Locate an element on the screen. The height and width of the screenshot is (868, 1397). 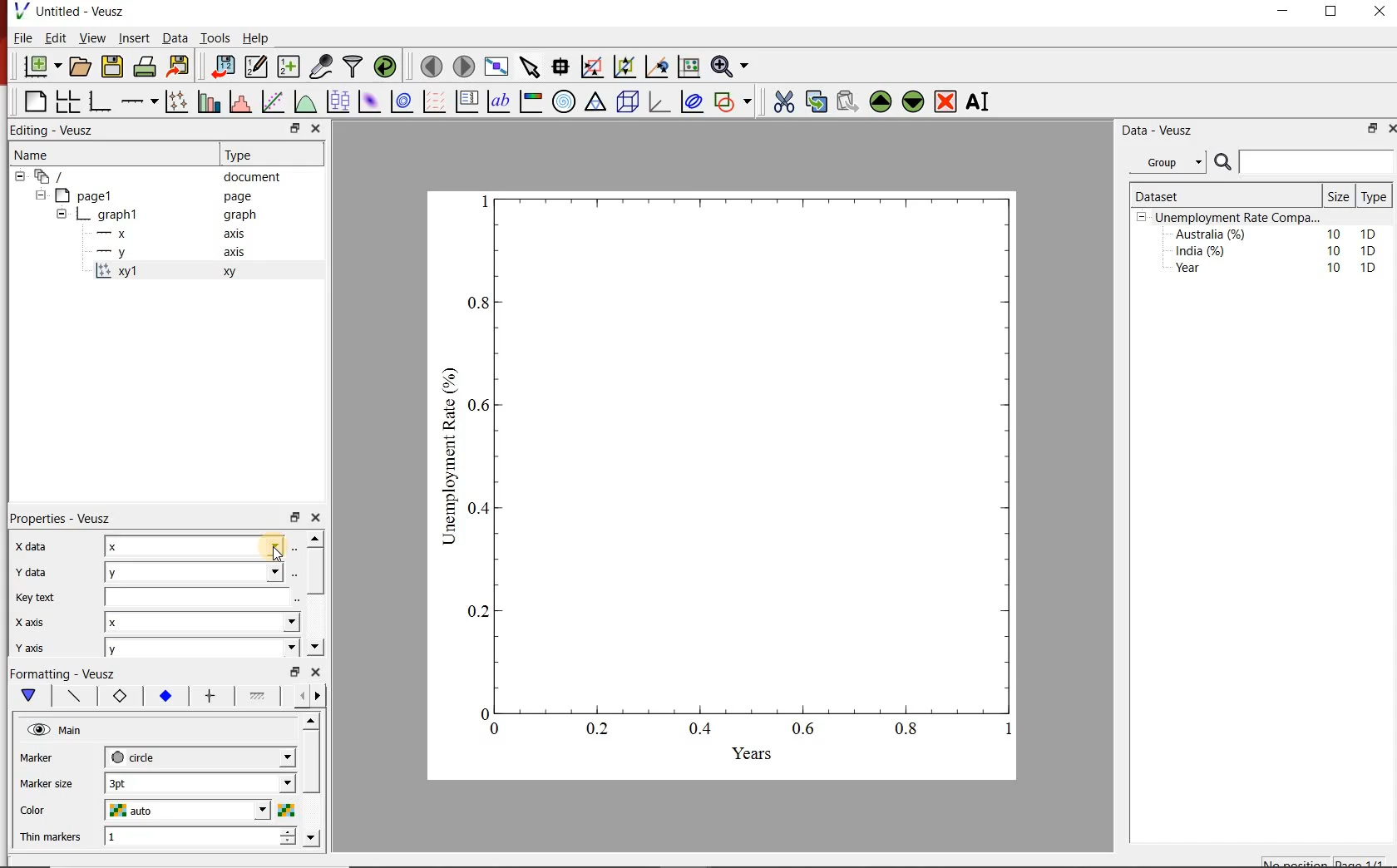
MArker is located at coordinates (48, 760).